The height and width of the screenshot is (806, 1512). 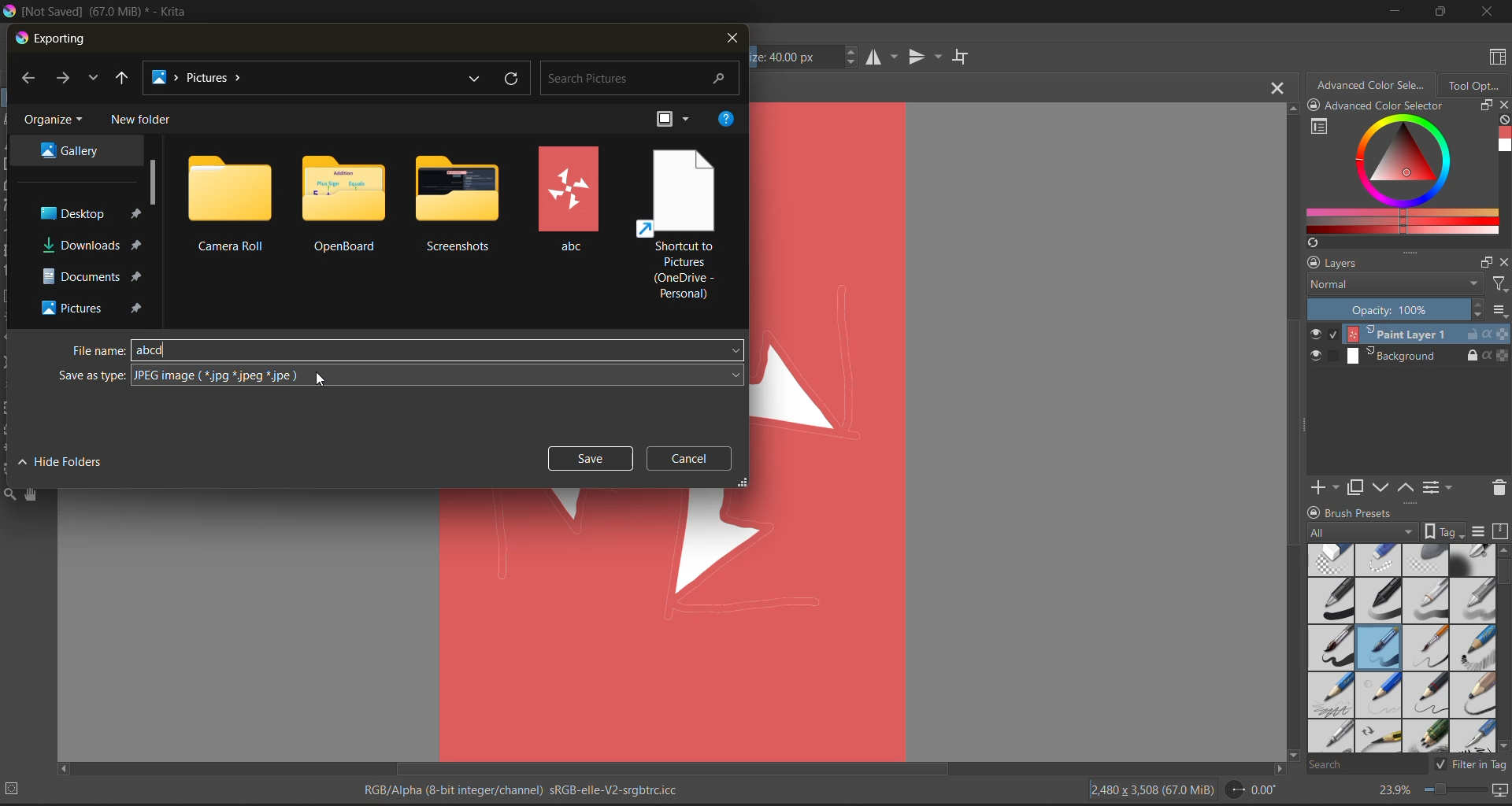 What do you see at coordinates (1403, 649) in the screenshot?
I see `brush presets` at bounding box center [1403, 649].